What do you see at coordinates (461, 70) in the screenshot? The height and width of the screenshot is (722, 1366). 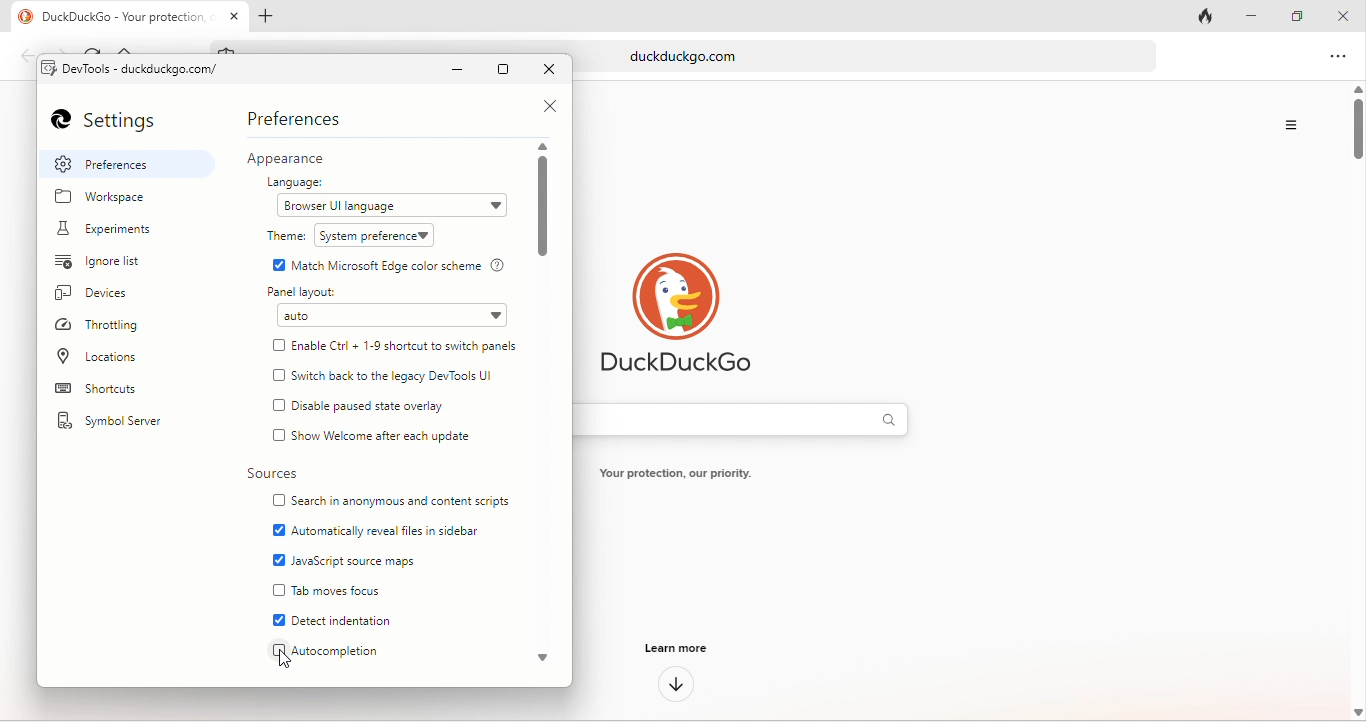 I see `minimize` at bounding box center [461, 70].